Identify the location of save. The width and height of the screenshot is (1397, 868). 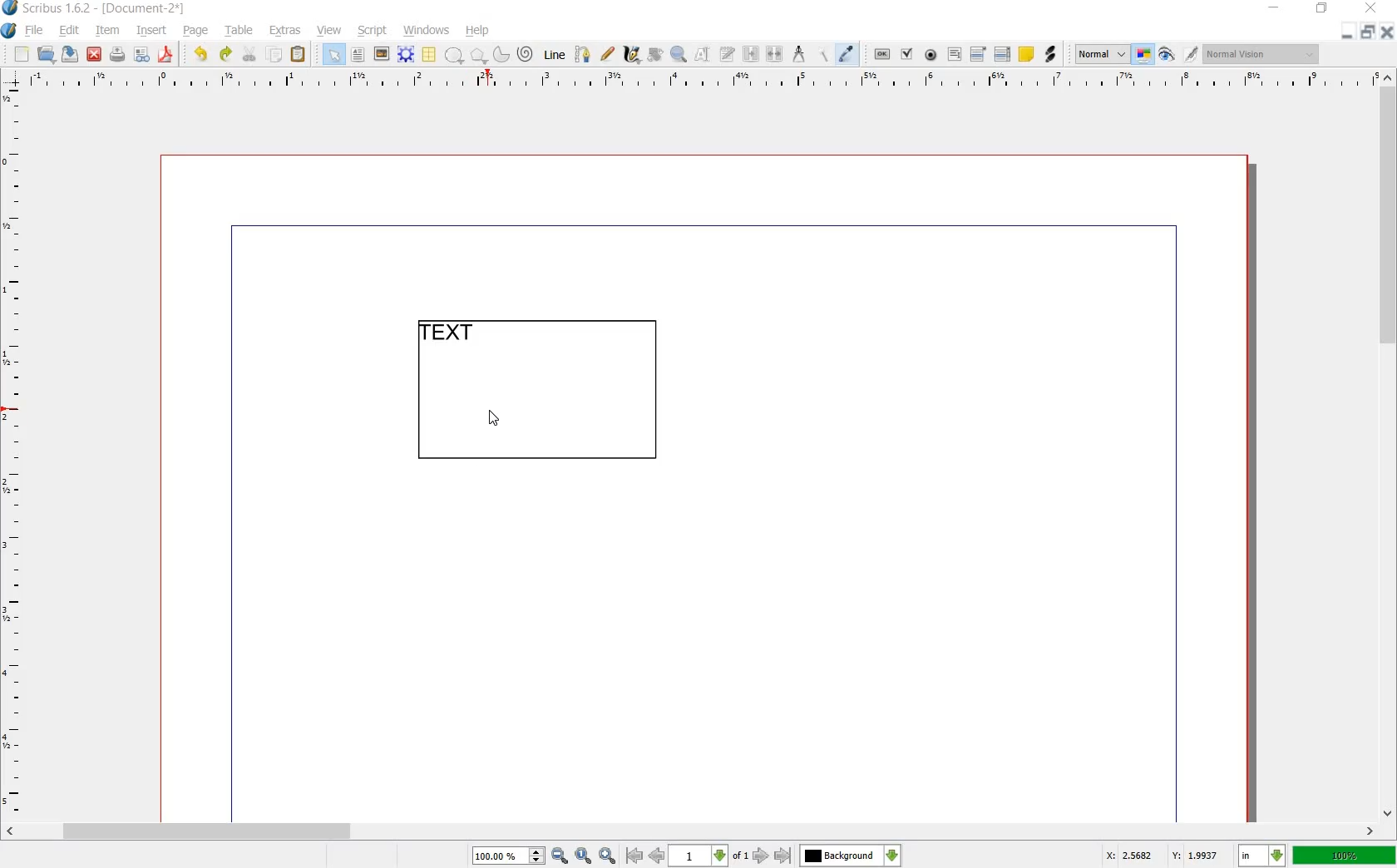
(72, 54).